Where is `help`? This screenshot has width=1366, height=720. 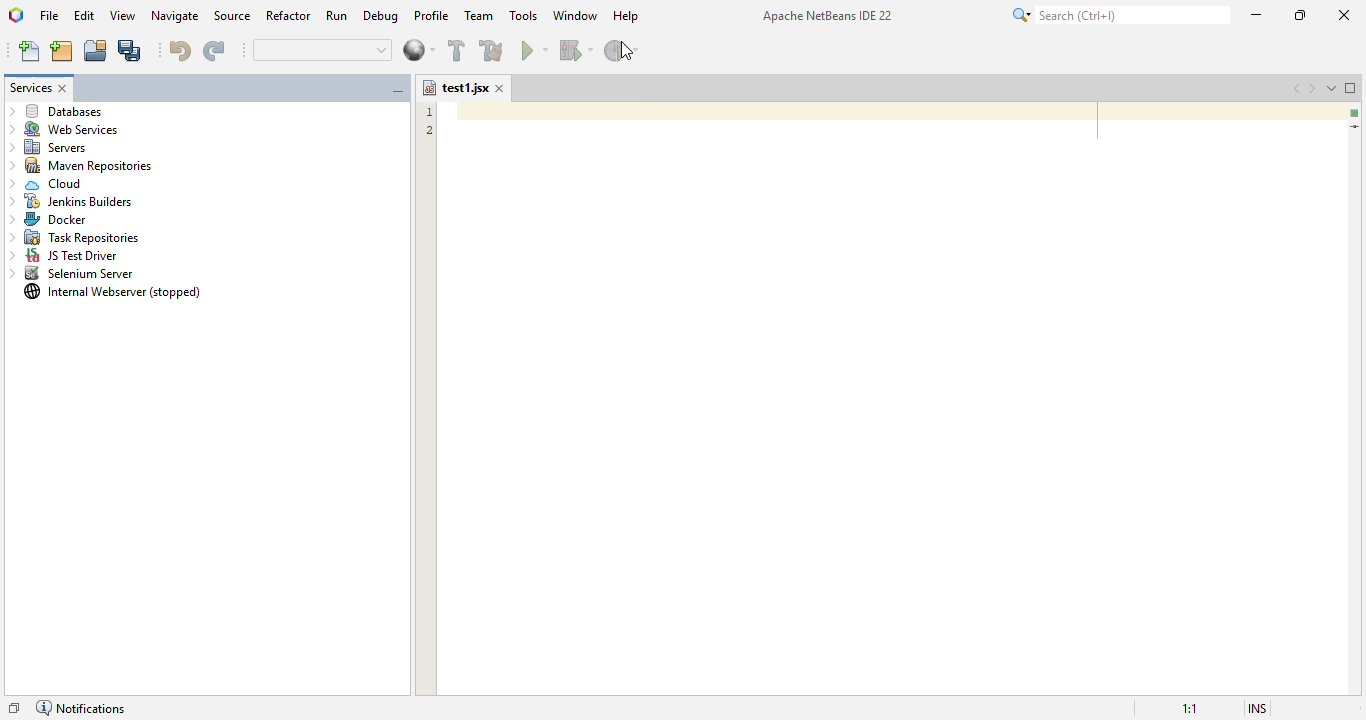 help is located at coordinates (626, 16).